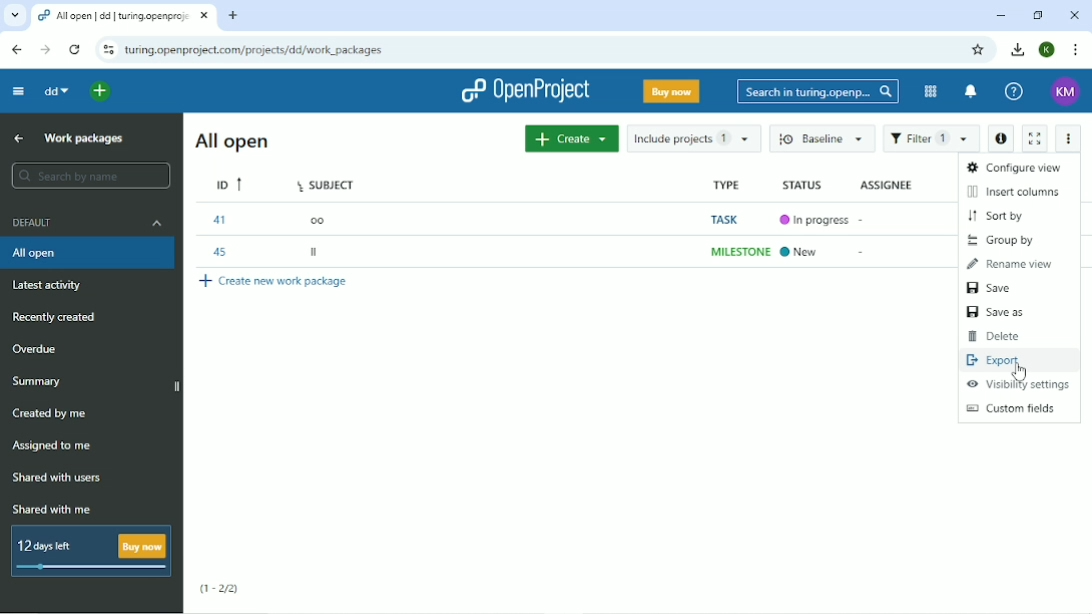 The width and height of the screenshot is (1092, 614). Describe the element at coordinates (739, 252) in the screenshot. I see `Milestone` at that location.